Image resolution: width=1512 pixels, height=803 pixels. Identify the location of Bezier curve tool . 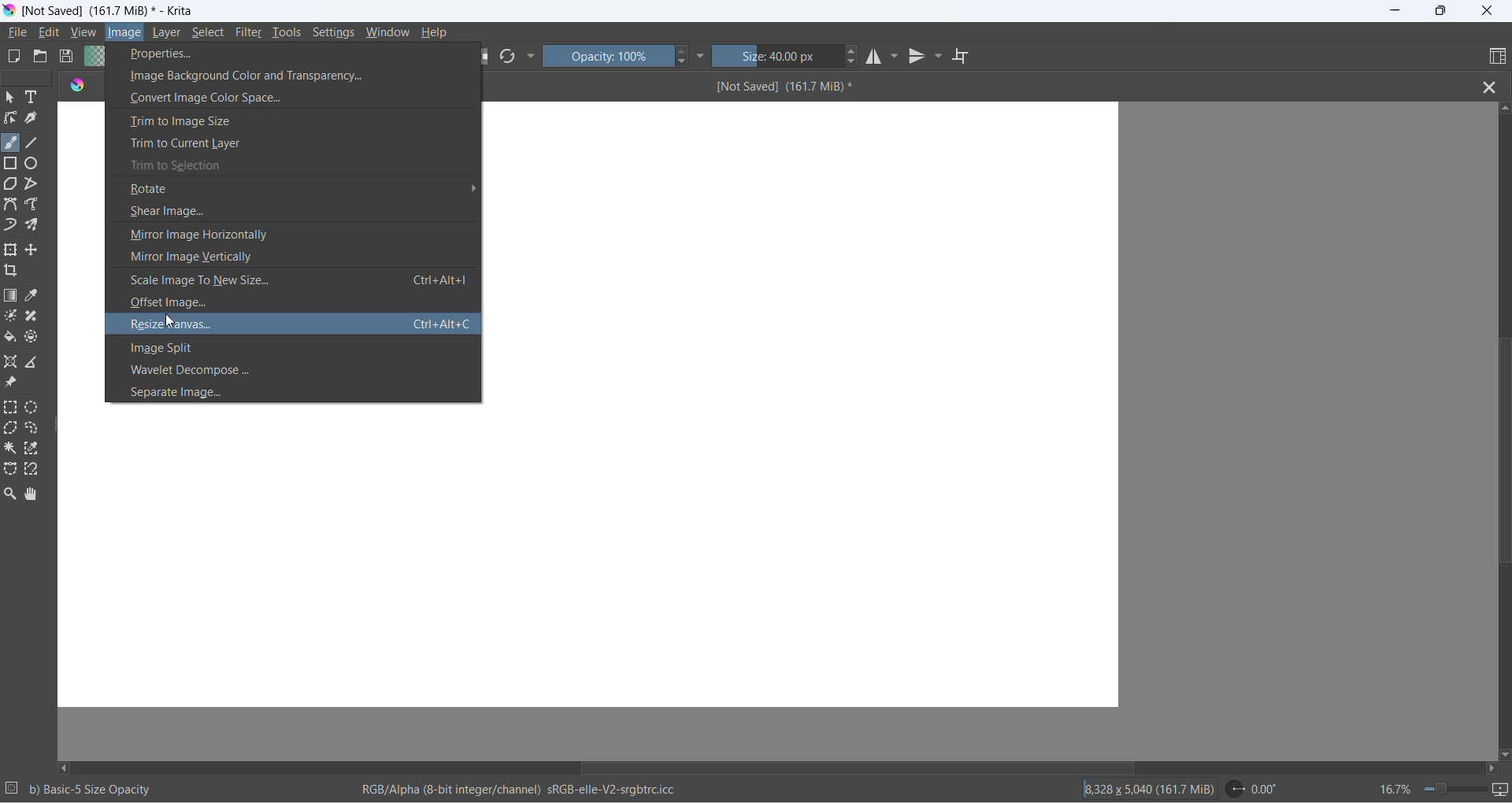
(13, 206).